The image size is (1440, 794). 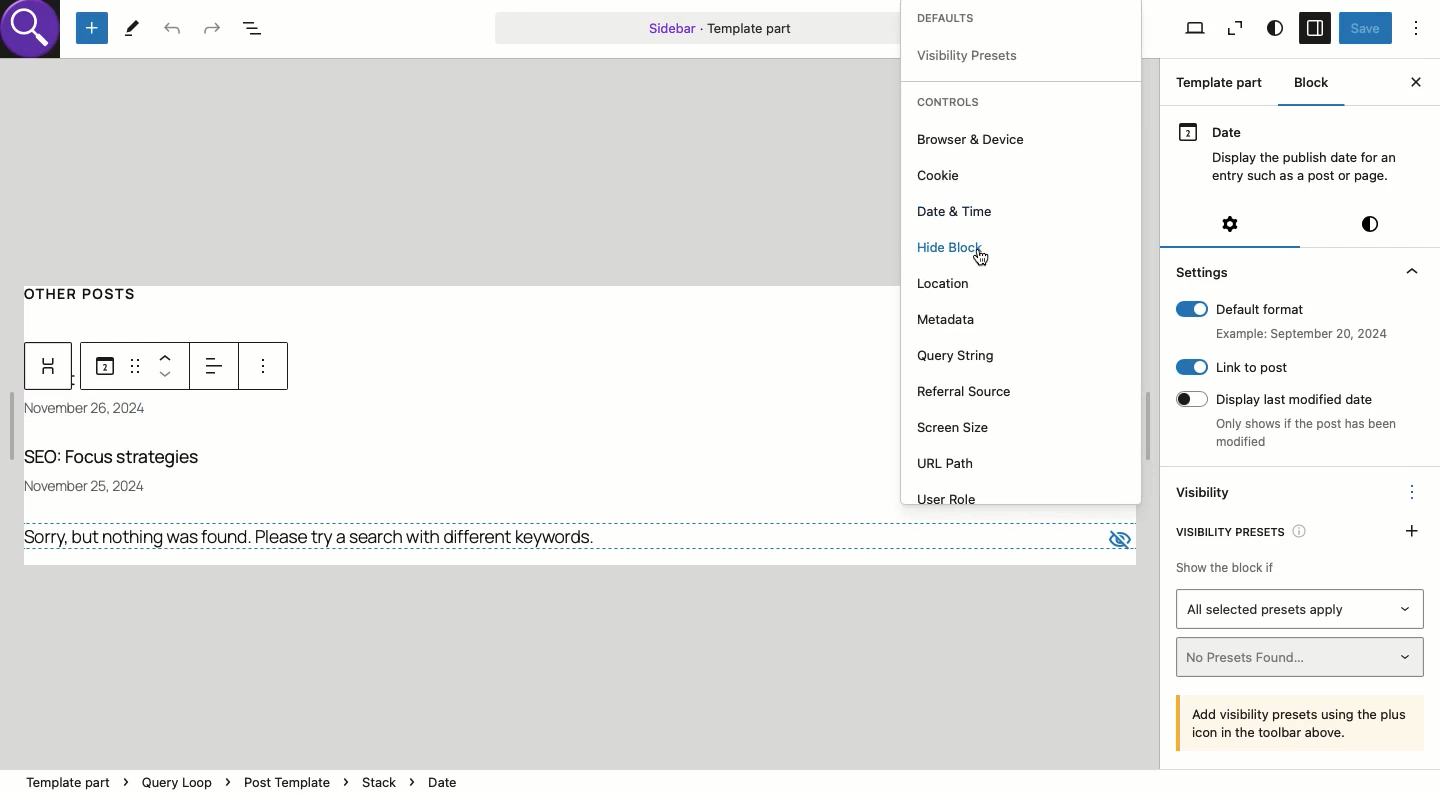 I want to click on Add new block, so click(x=92, y=29).